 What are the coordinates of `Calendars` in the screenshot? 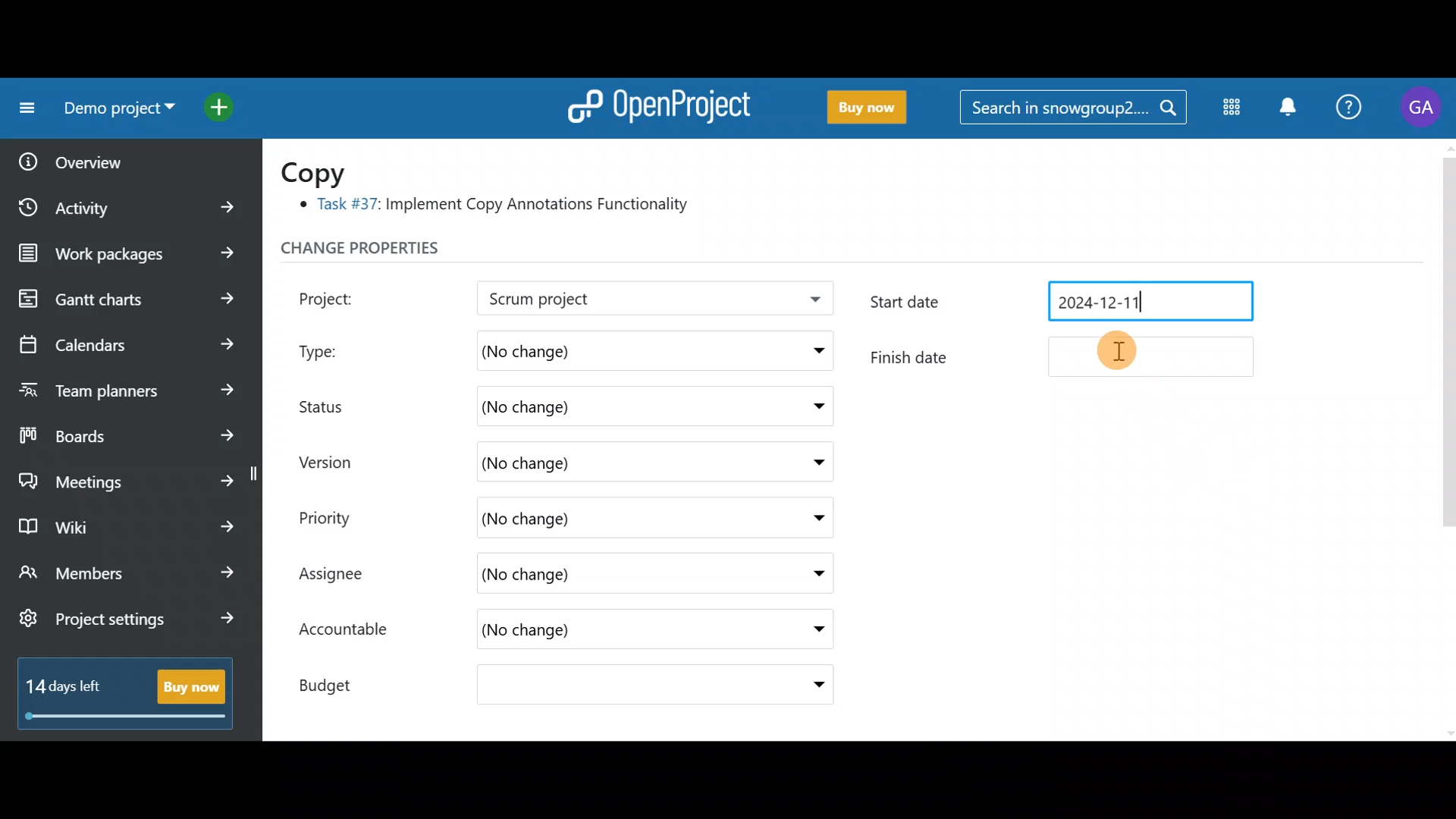 It's located at (126, 338).